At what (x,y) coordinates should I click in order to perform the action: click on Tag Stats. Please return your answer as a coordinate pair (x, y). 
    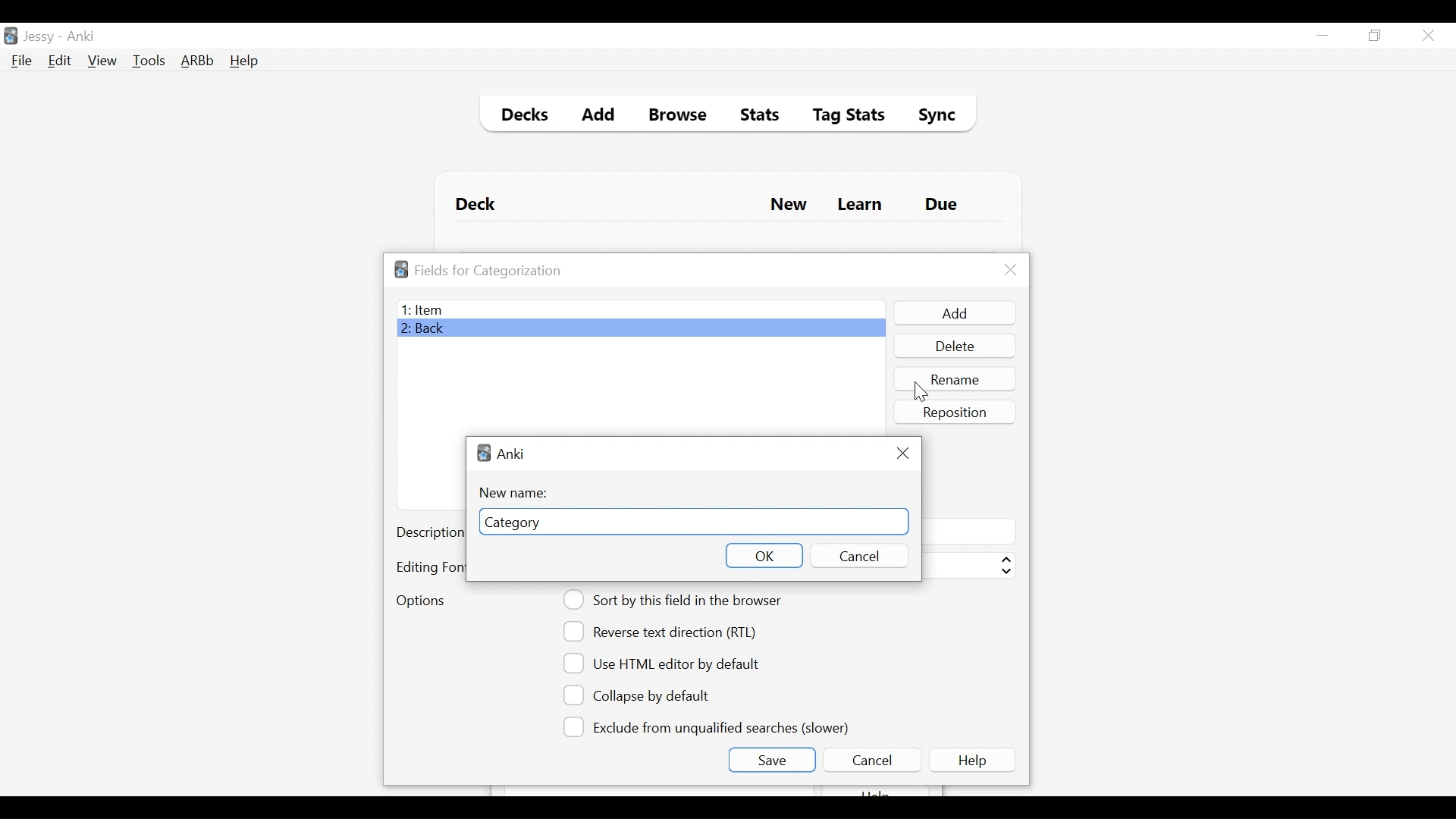
    Looking at the image, I should click on (840, 117).